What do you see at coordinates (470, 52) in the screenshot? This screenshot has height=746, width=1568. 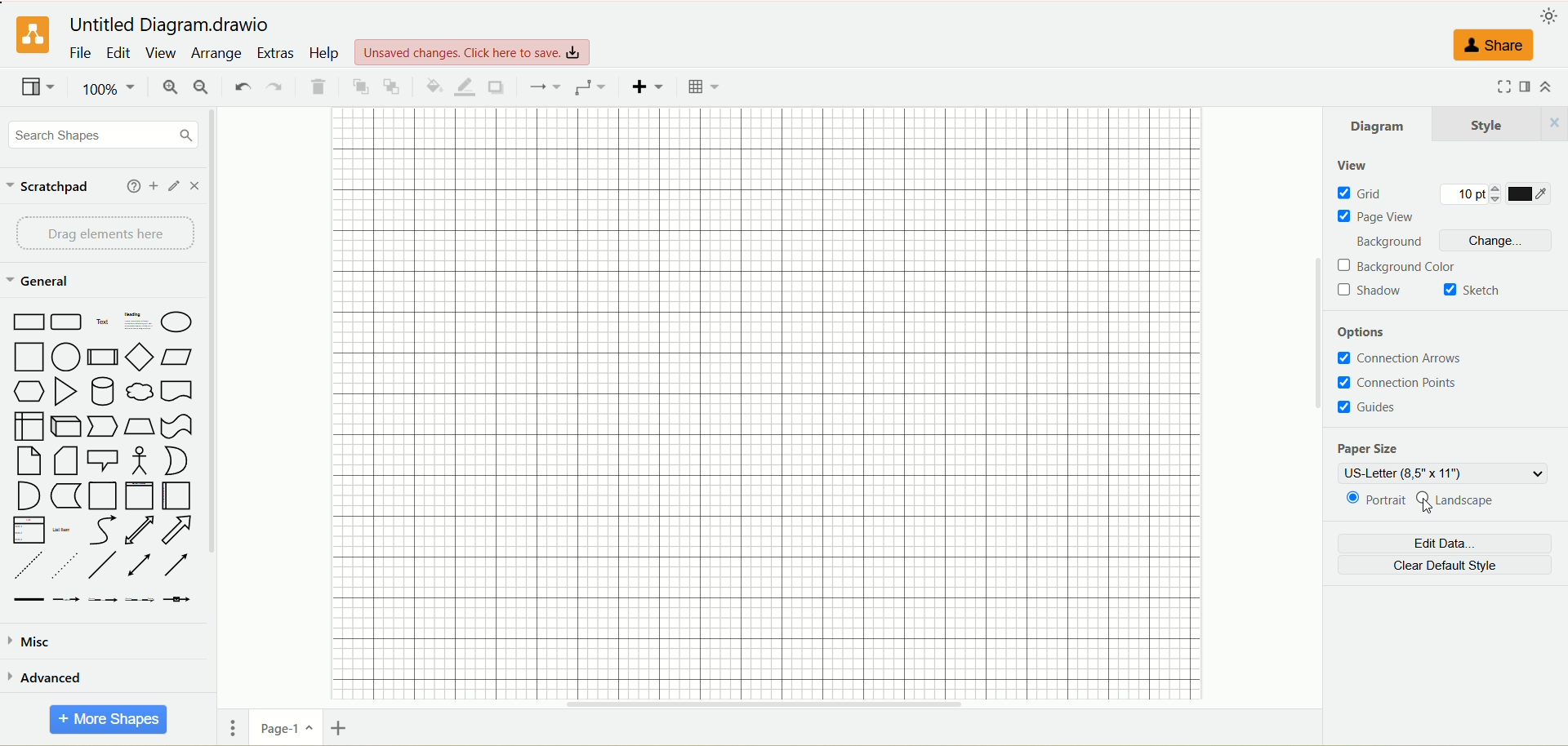 I see `click here to save` at bounding box center [470, 52].